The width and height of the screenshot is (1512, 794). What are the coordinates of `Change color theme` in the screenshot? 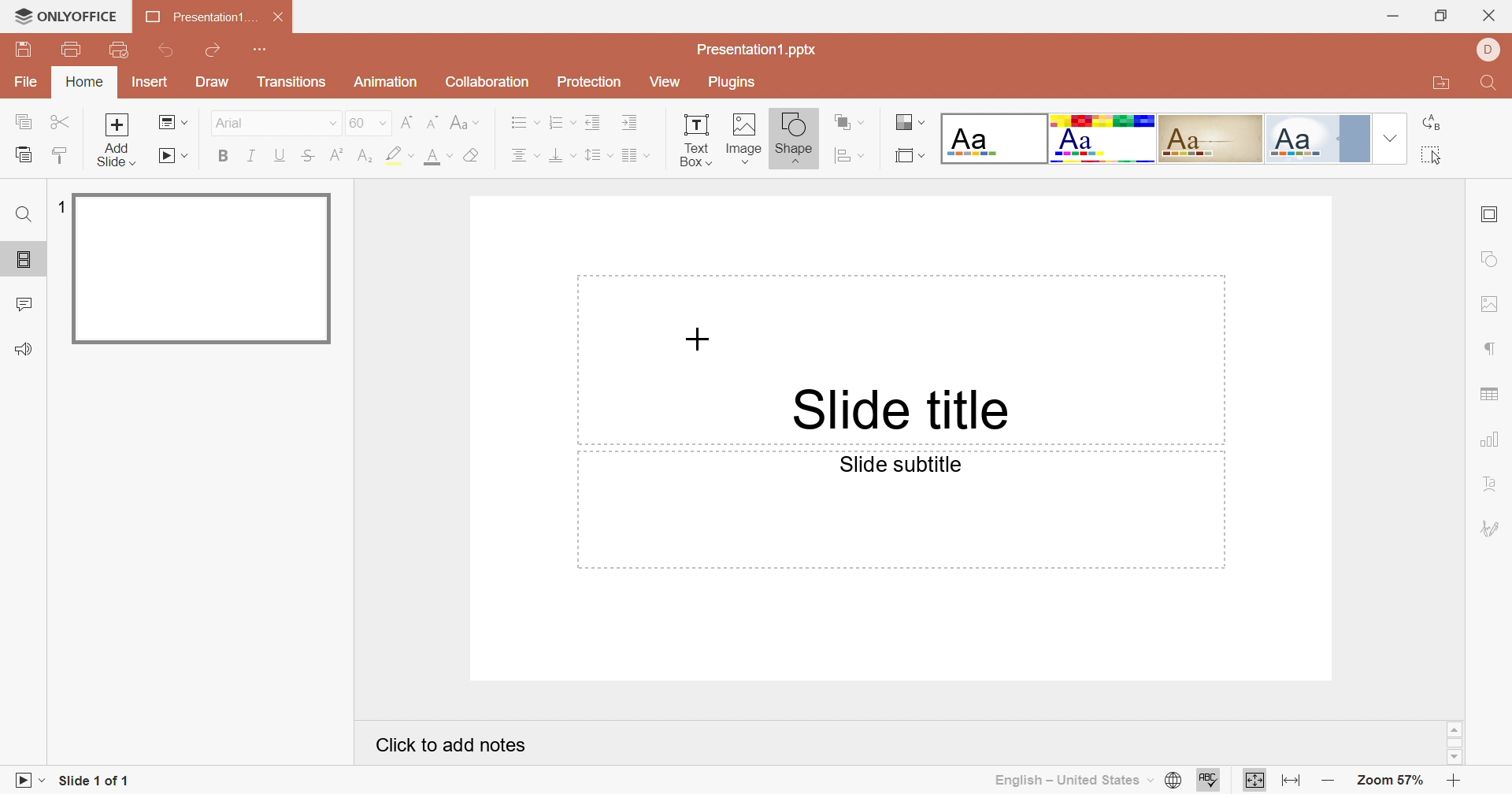 It's located at (910, 123).